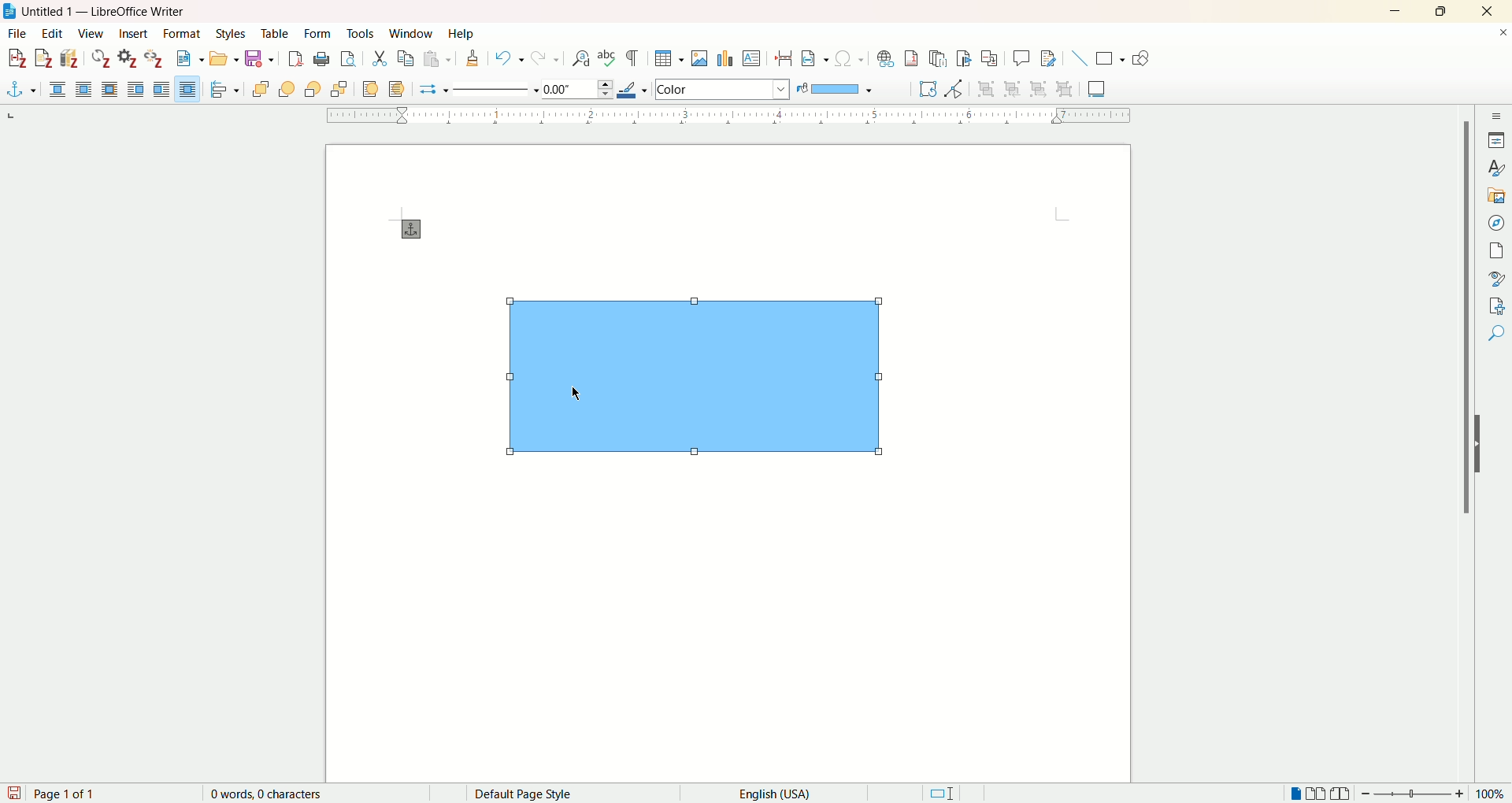  What do you see at coordinates (410, 32) in the screenshot?
I see `window` at bounding box center [410, 32].